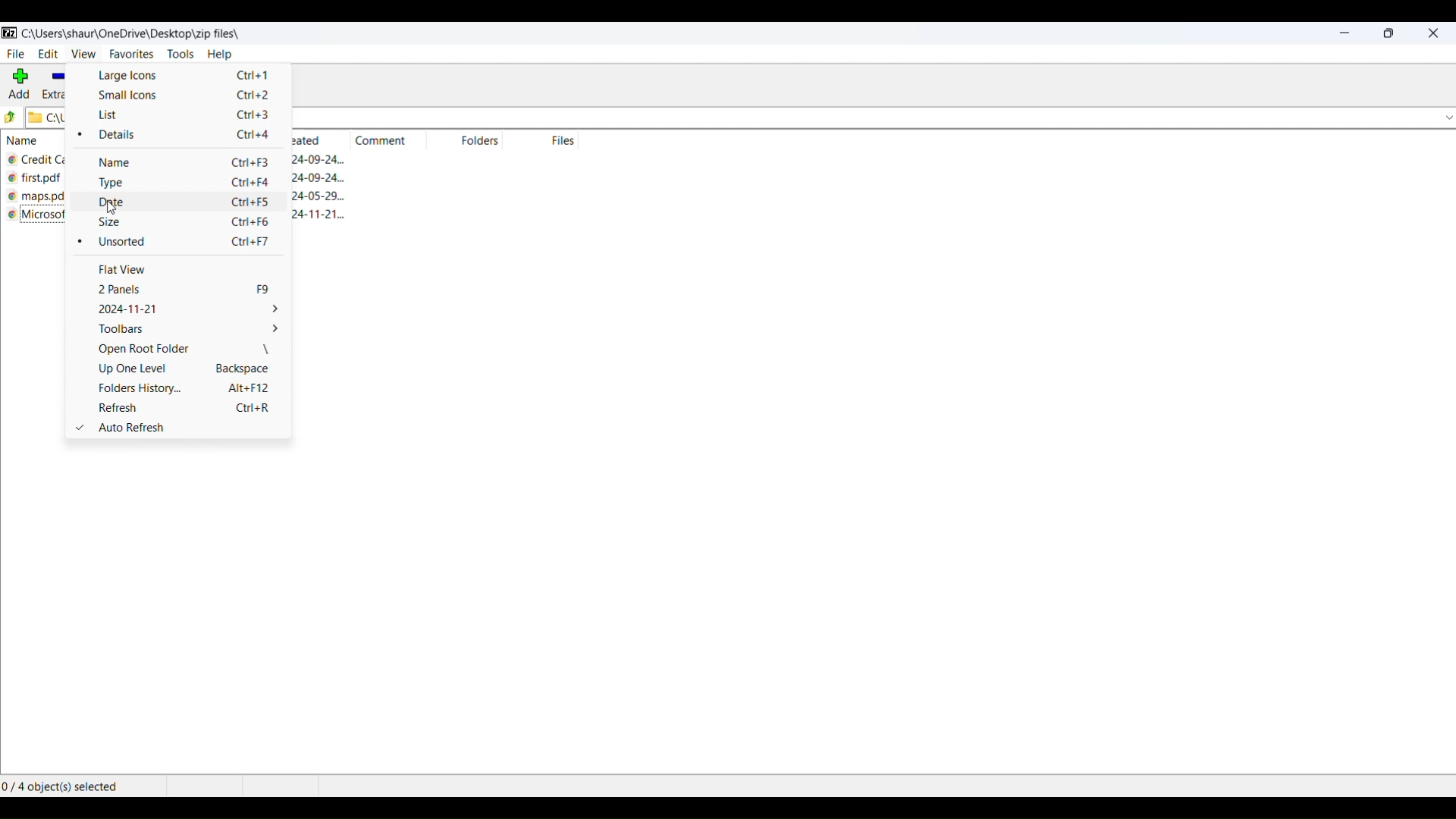  Describe the element at coordinates (190, 290) in the screenshot. I see `2 panels` at that location.